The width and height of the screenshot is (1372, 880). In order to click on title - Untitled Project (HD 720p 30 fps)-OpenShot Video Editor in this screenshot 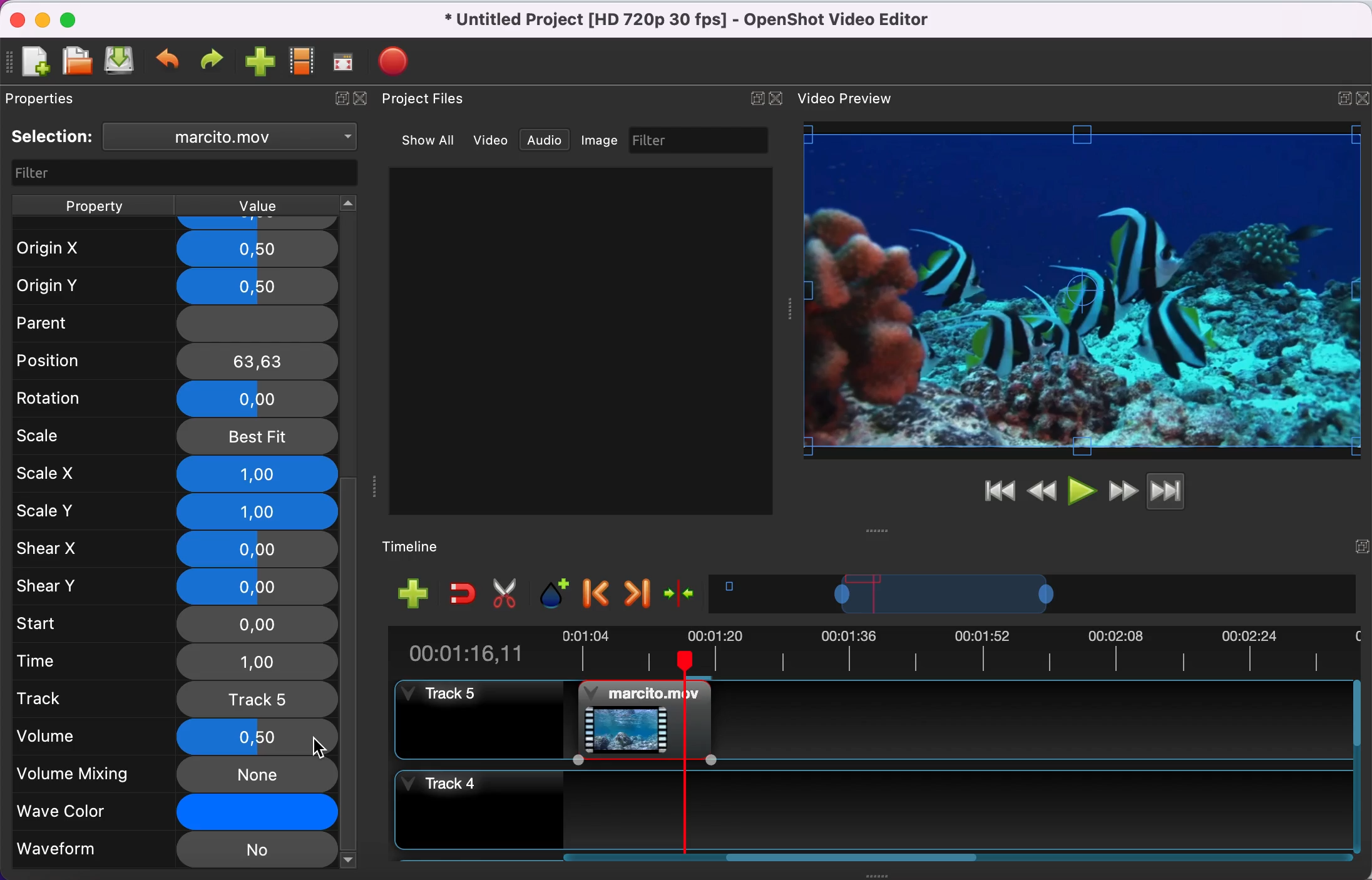, I will do `click(707, 22)`.